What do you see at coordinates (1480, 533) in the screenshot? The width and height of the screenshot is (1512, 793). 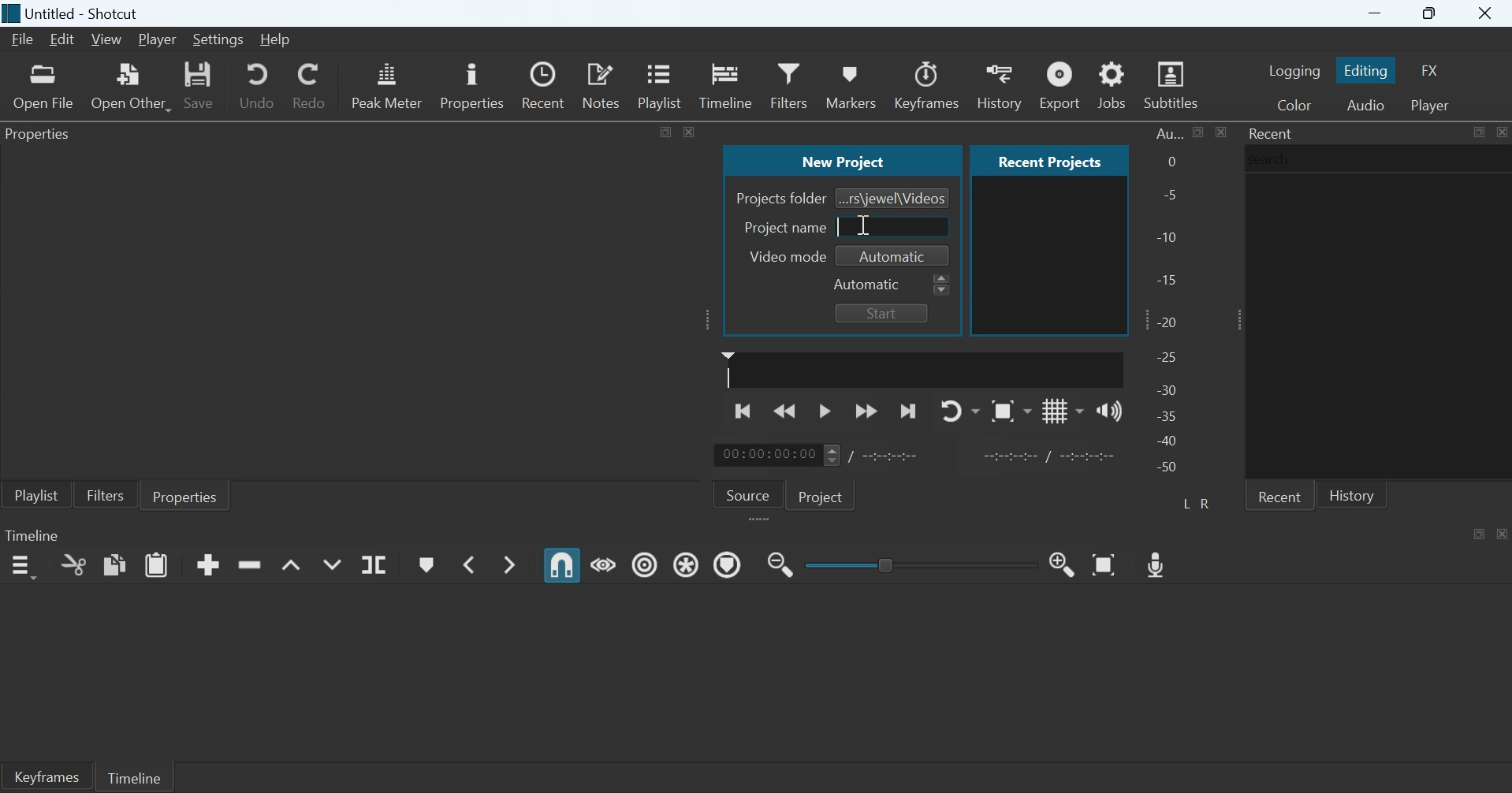 I see `Maximize` at bounding box center [1480, 533].